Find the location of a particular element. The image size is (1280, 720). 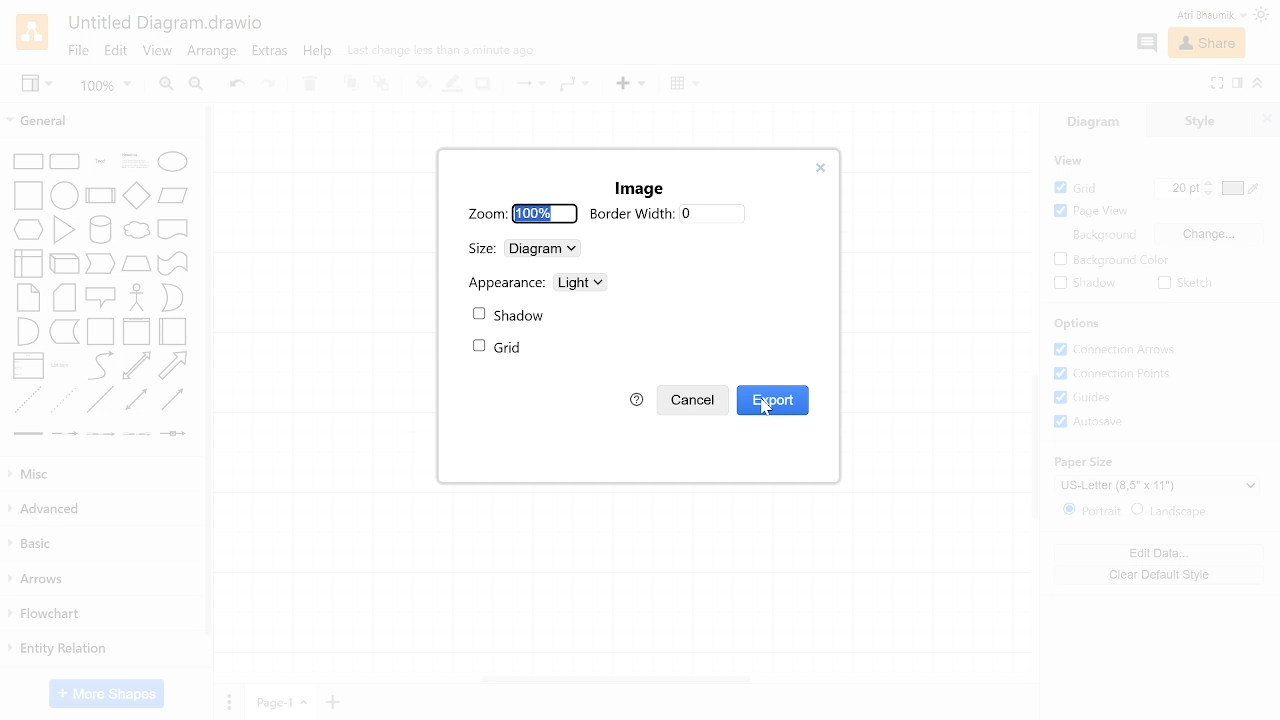

Zoom in is located at coordinates (169, 85).